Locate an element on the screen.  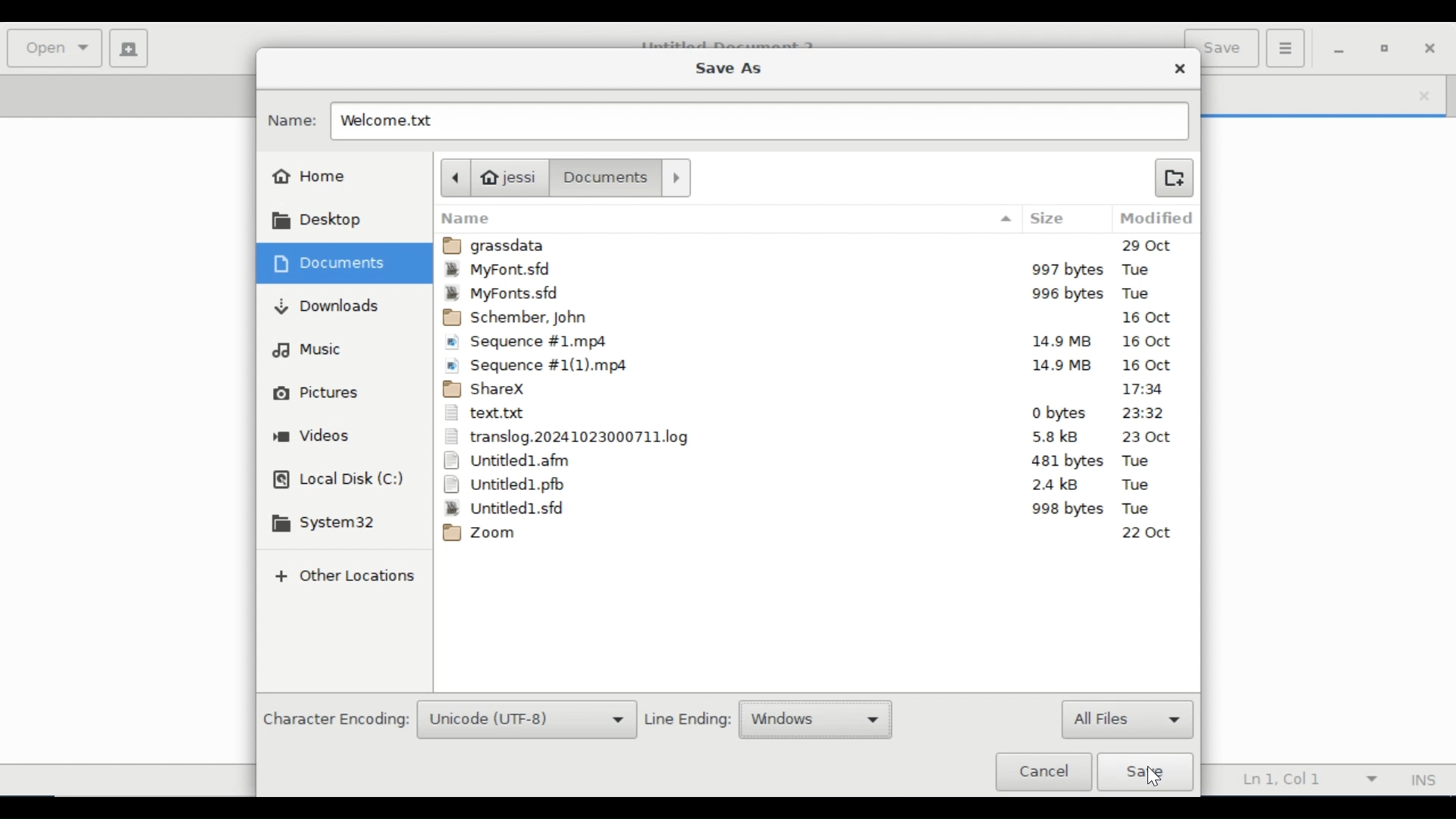
Untitled1.pfb 2.4kB Tue is located at coordinates (812, 485).